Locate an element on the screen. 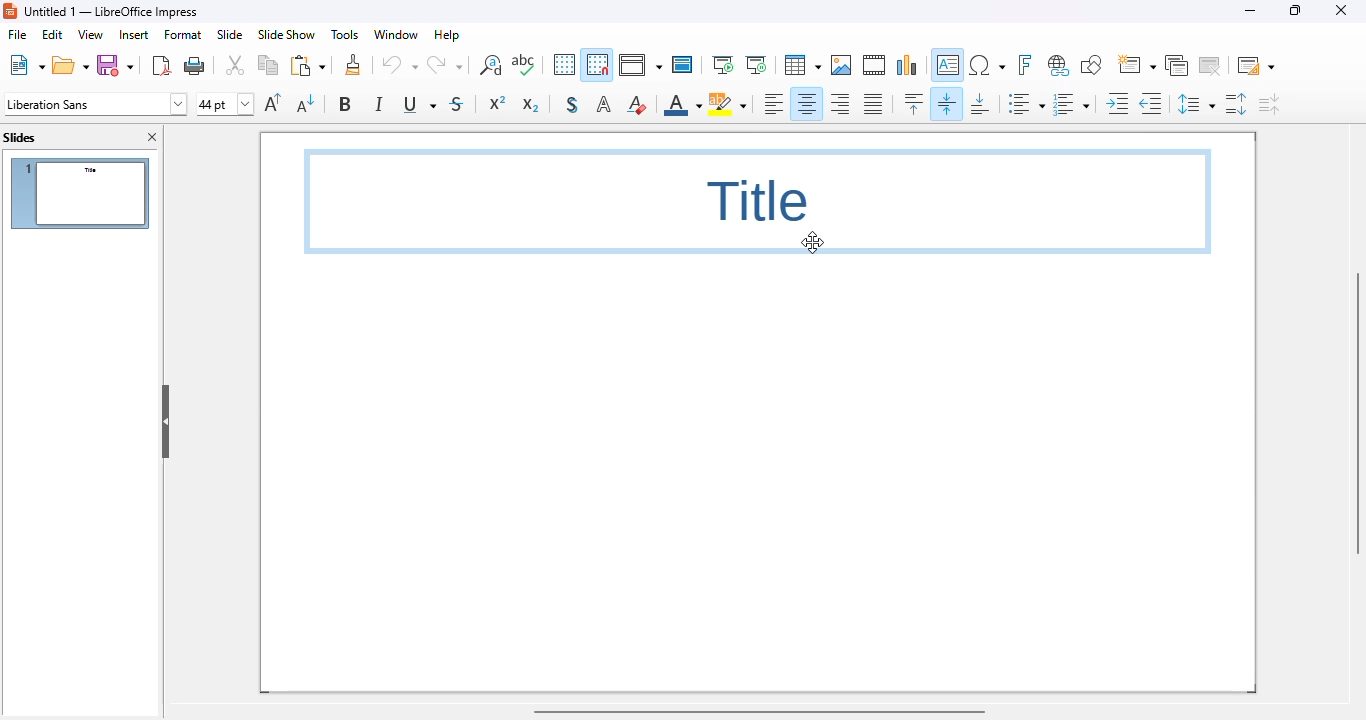 This screenshot has height=720, width=1366. align top is located at coordinates (914, 103).